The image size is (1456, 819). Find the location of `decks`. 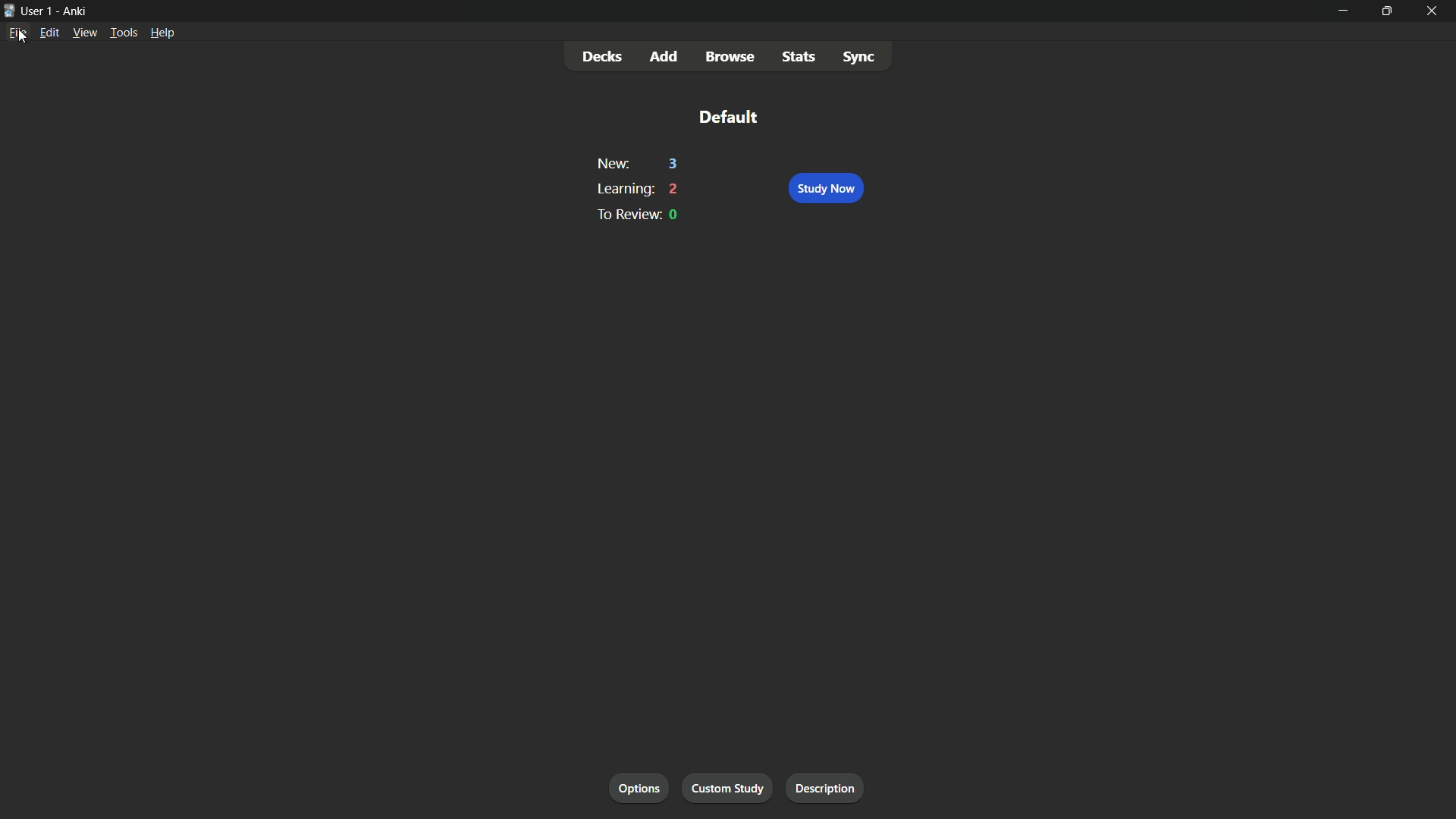

decks is located at coordinates (603, 57).